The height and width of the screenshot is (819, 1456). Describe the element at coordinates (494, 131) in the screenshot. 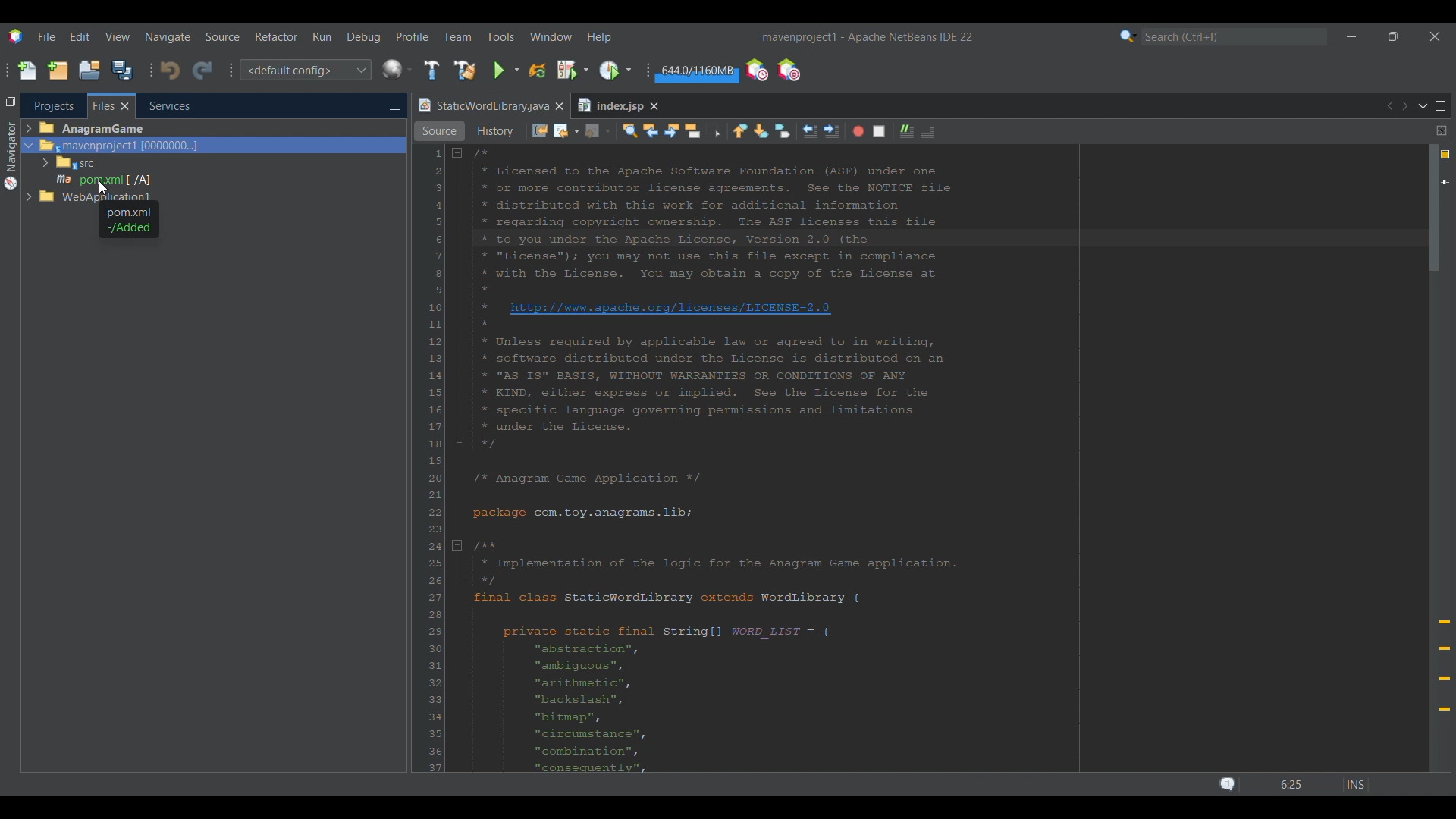

I see `History view` at that location.